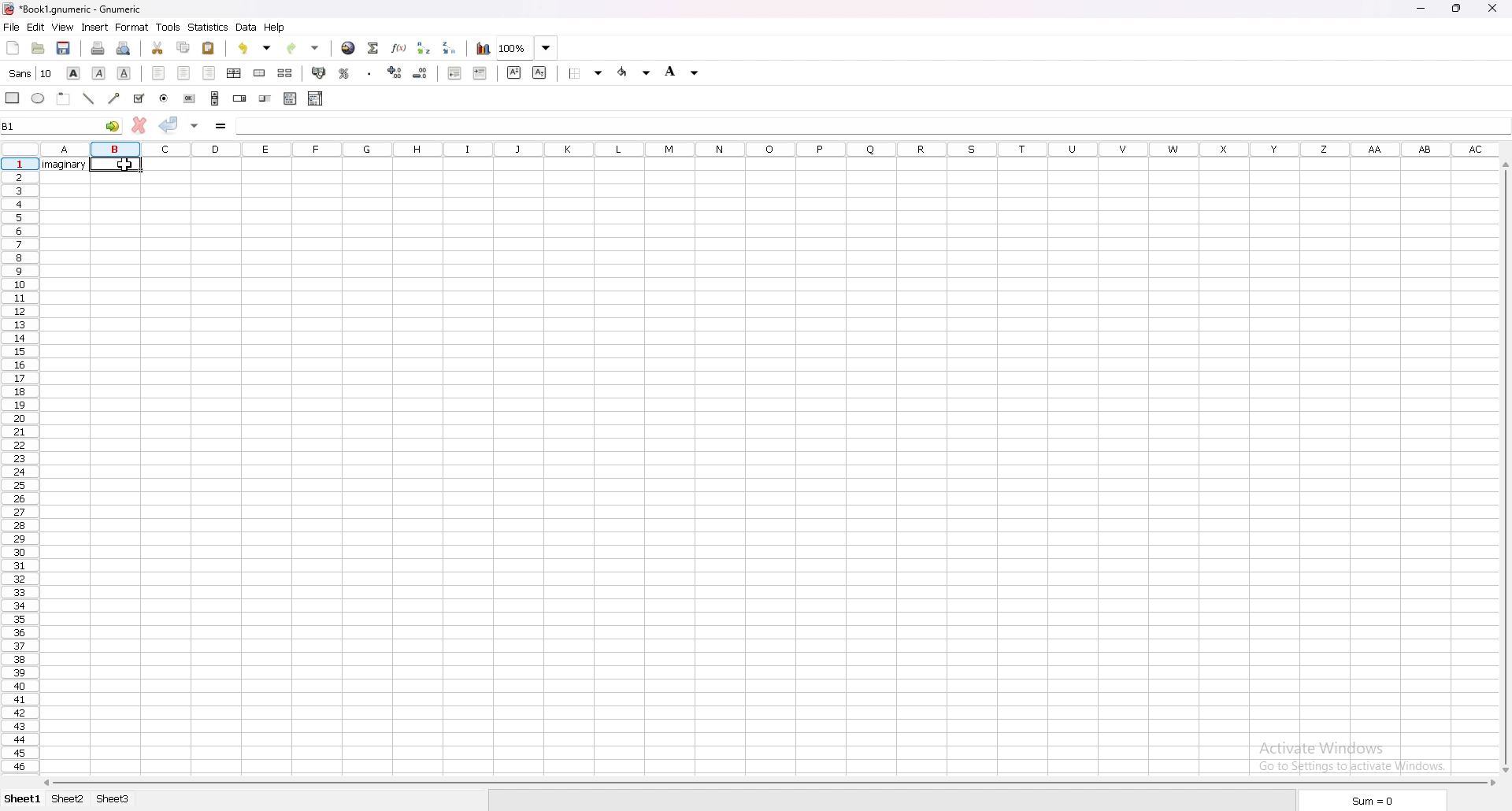 The image size is (1512, 811). I want to click on superscript, so click(513, 72).